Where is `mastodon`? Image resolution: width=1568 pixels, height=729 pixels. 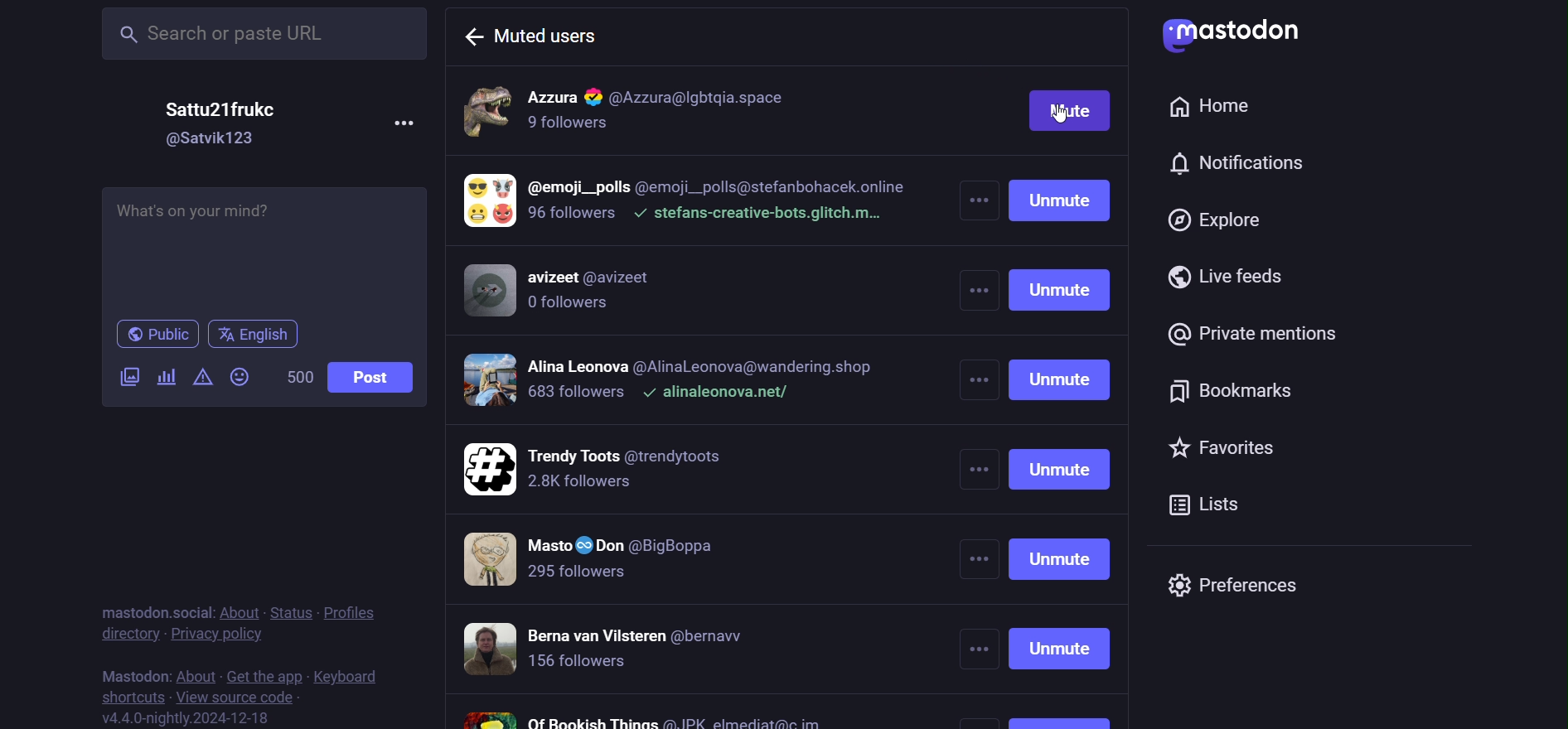
mastodon is located at coordinates (130, 673).